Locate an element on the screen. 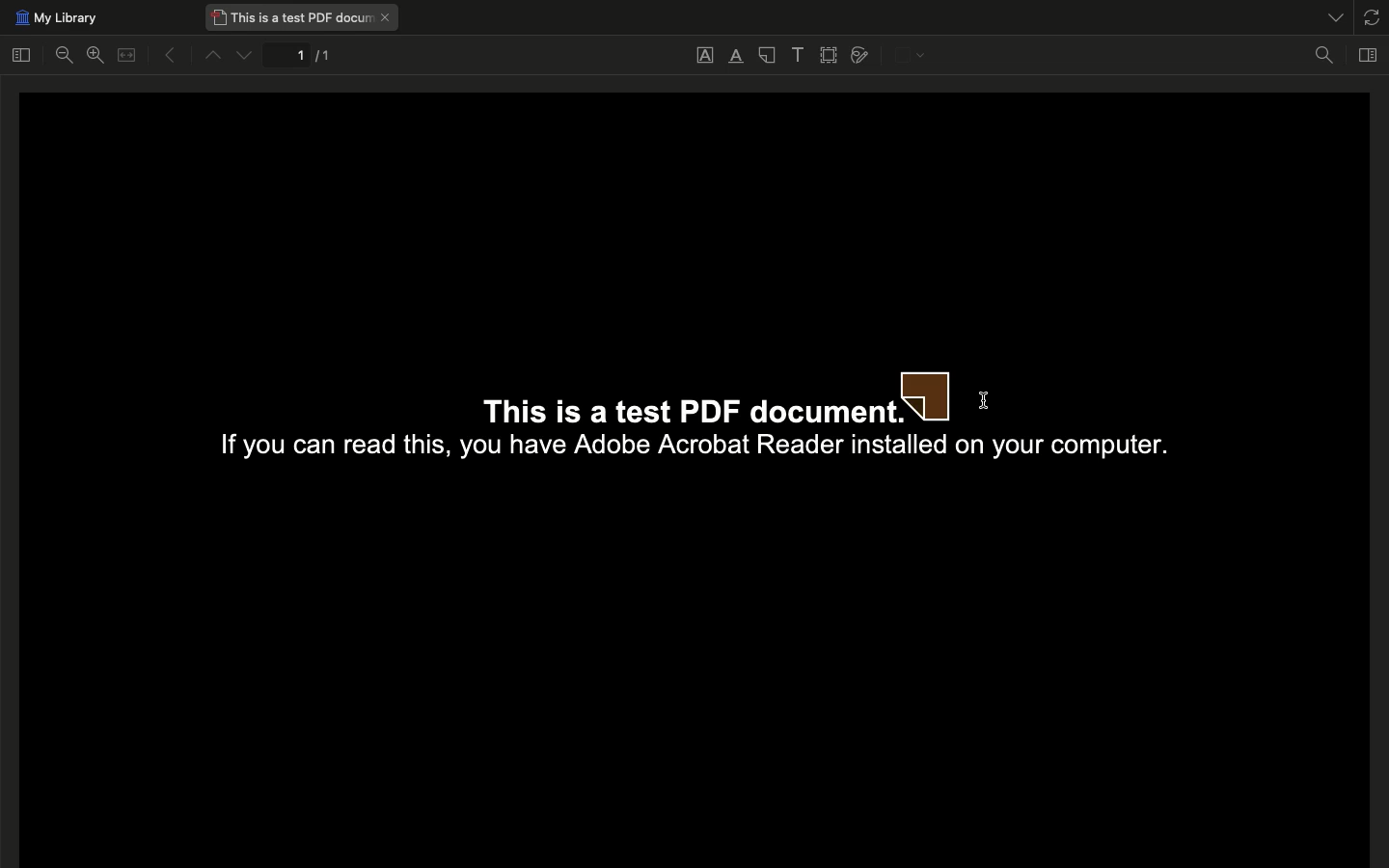 The width and height of the screenshot is (1389, 868). Click on document to confirm annotation is located at coordinates (992, 399).